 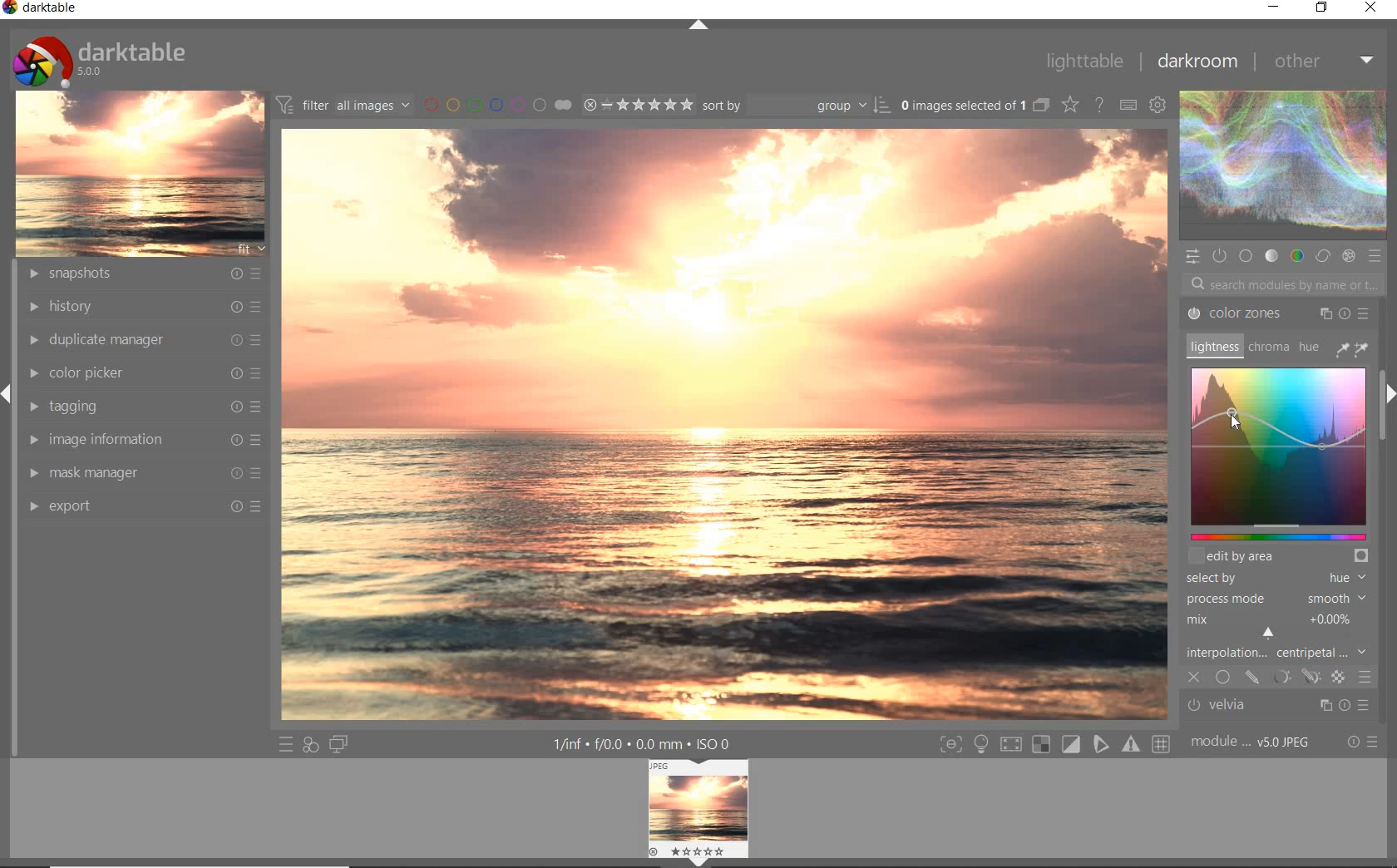 What do you see at coordinates (1387, 396) in the screenshot?
I see `EXPAND/COLLAPSE` at bounding box center [1387, 396].